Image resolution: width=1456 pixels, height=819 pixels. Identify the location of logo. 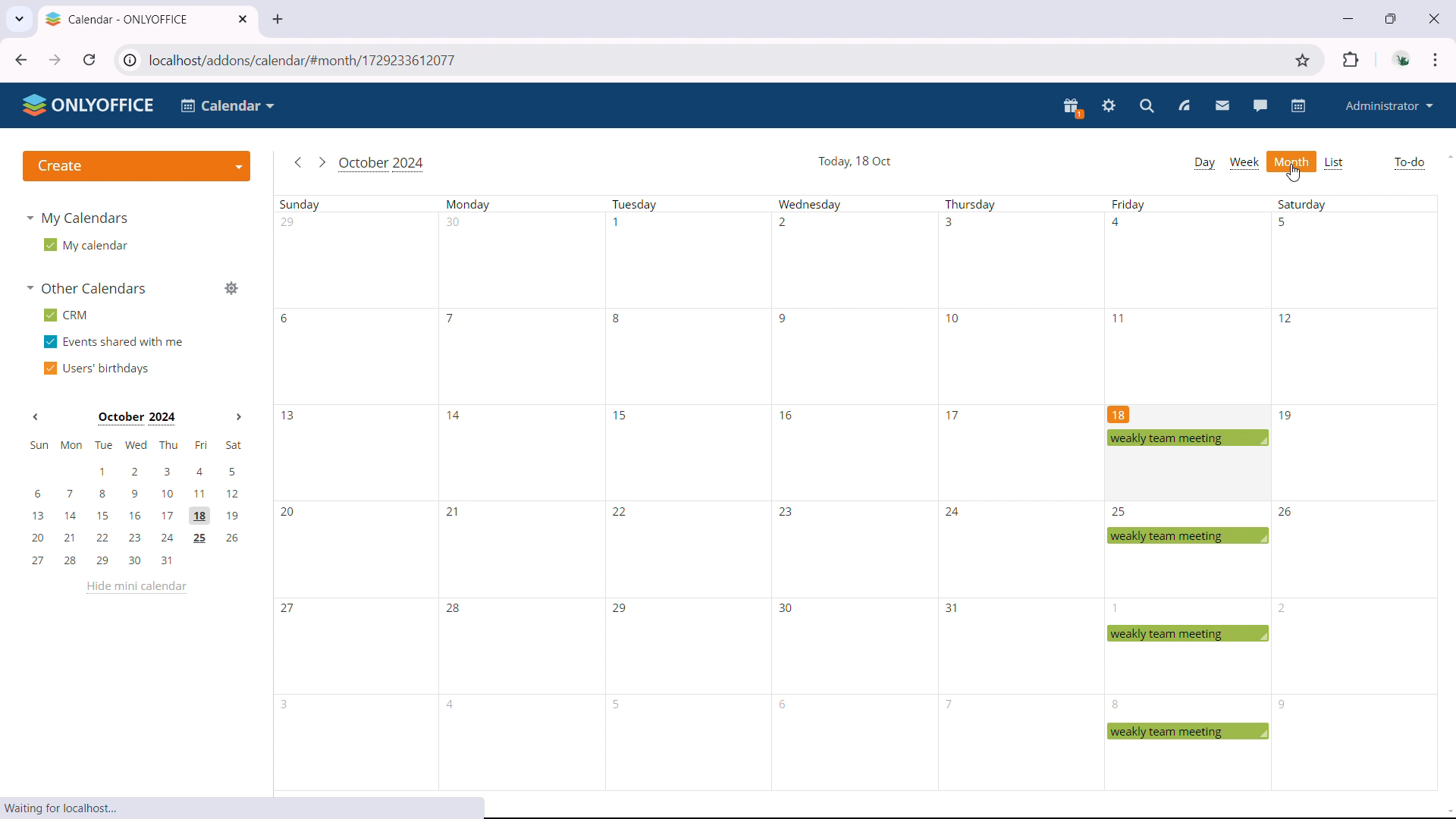
(89, 105).